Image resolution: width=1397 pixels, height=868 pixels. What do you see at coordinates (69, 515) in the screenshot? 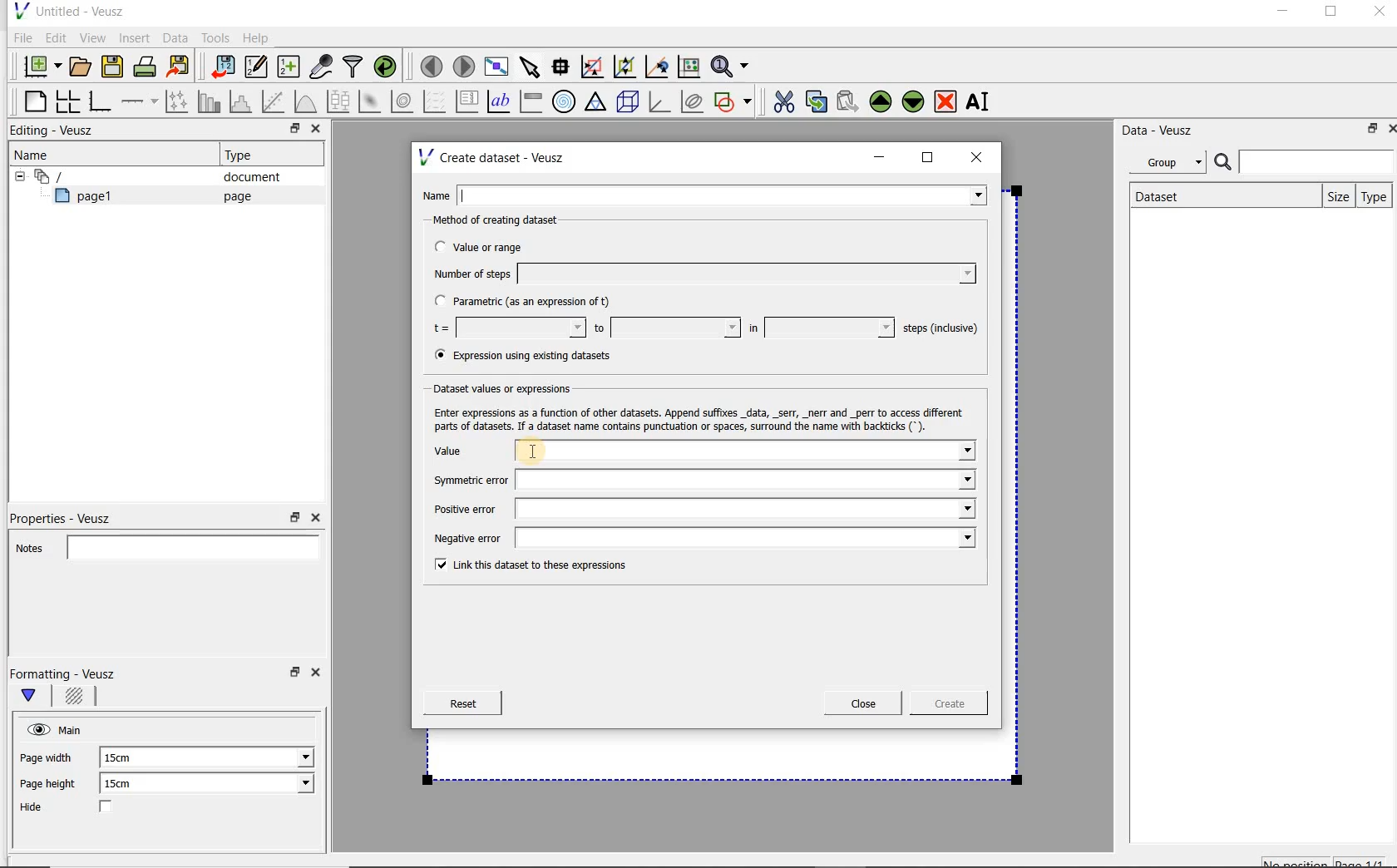
I see `Properties - Veusz` at bounding box center [69, 515].